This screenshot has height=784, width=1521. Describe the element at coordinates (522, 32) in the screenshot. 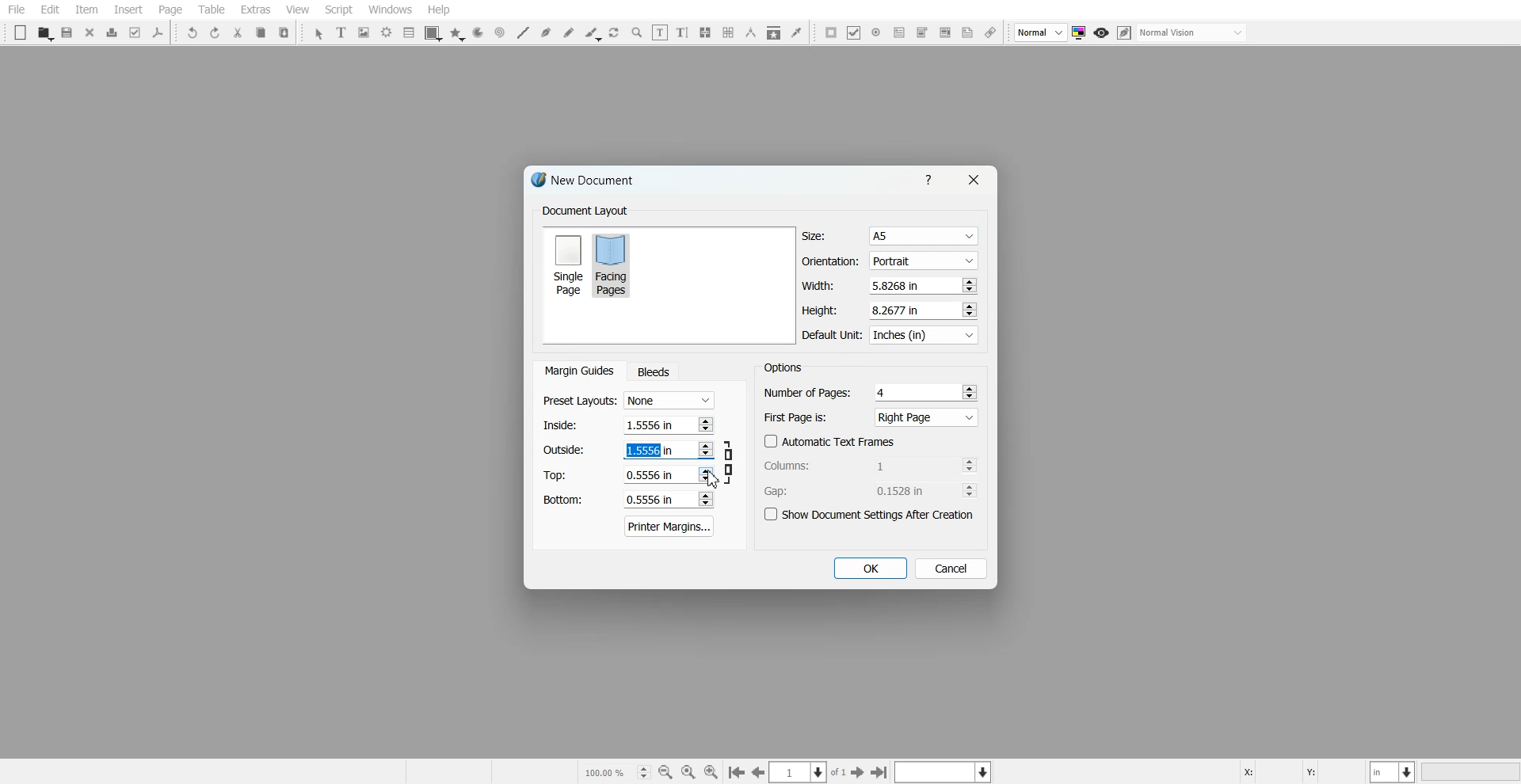

I see `Line` at that location.